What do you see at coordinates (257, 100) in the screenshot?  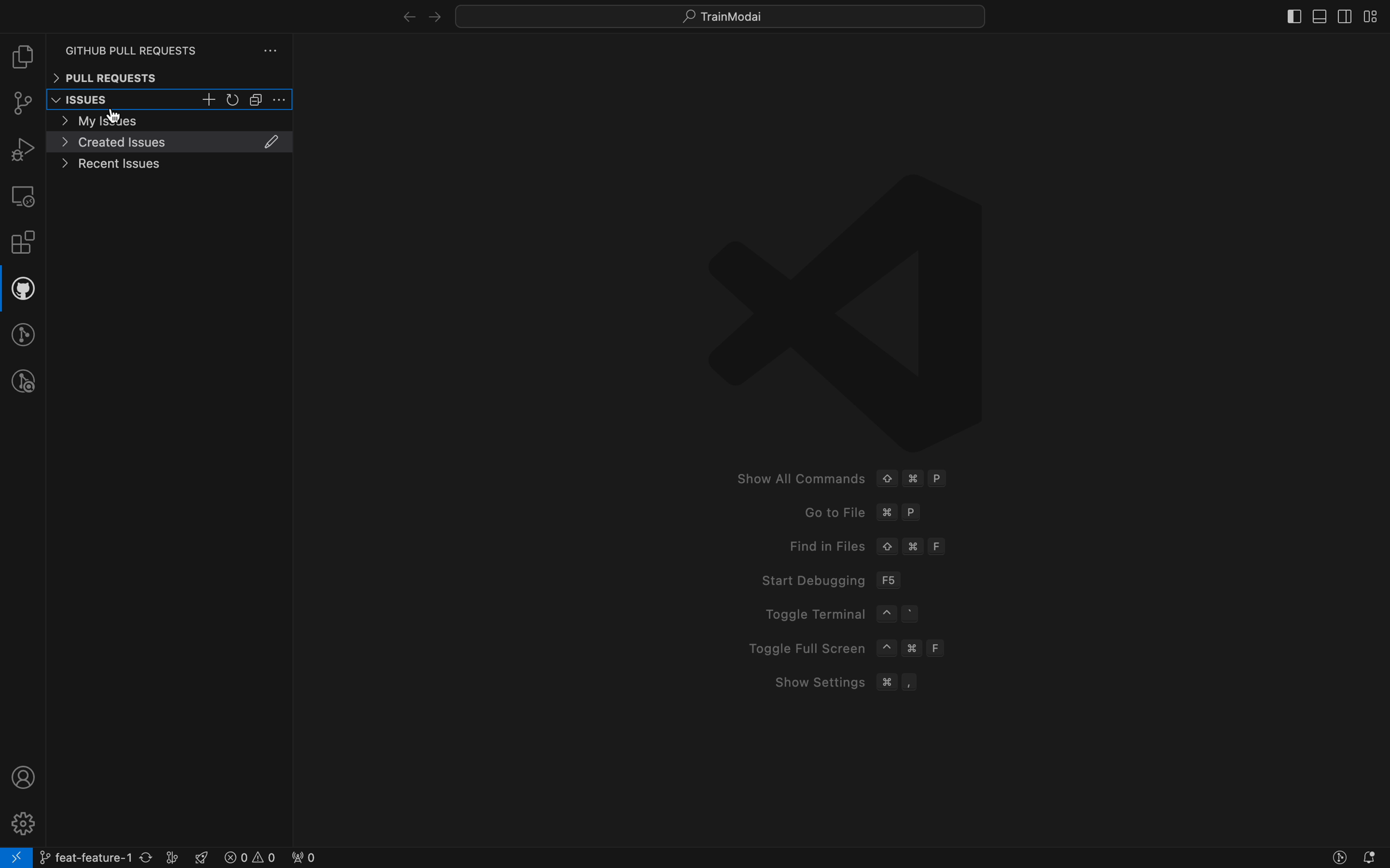 I see `select bar` at bounding box center [257, 100].